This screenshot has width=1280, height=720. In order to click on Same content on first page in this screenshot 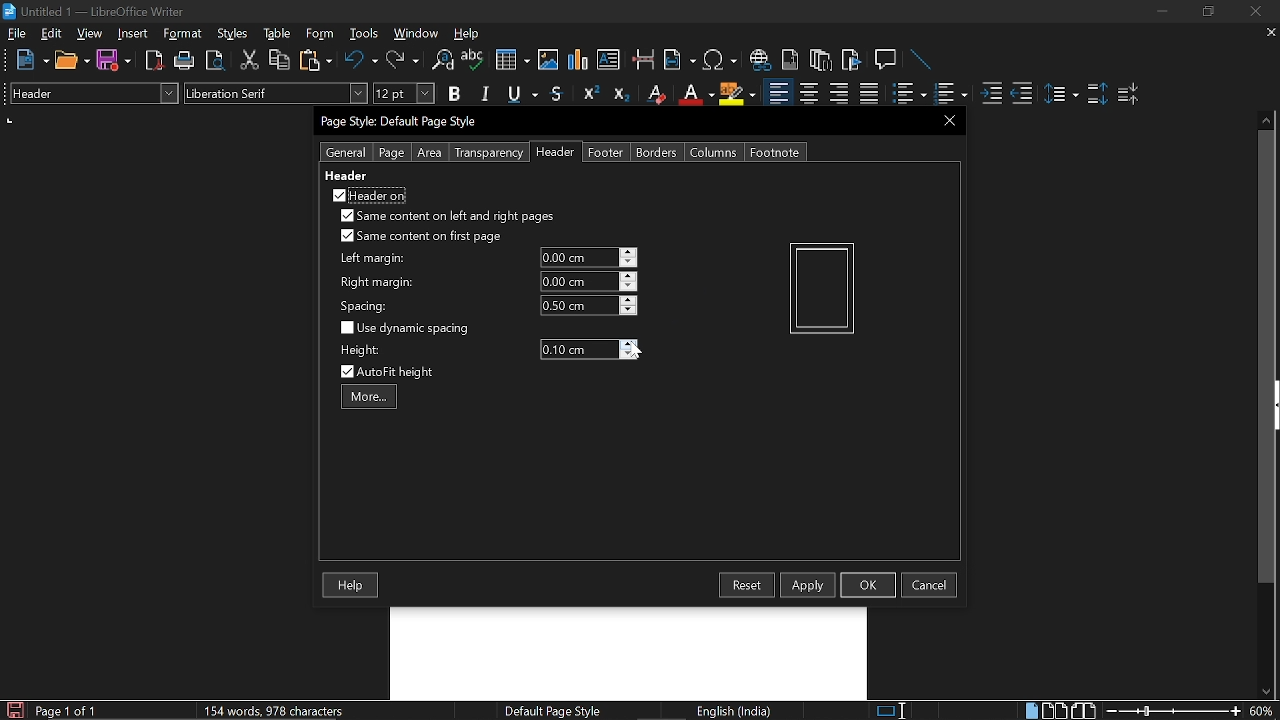, I will do `click(422, 237)`.